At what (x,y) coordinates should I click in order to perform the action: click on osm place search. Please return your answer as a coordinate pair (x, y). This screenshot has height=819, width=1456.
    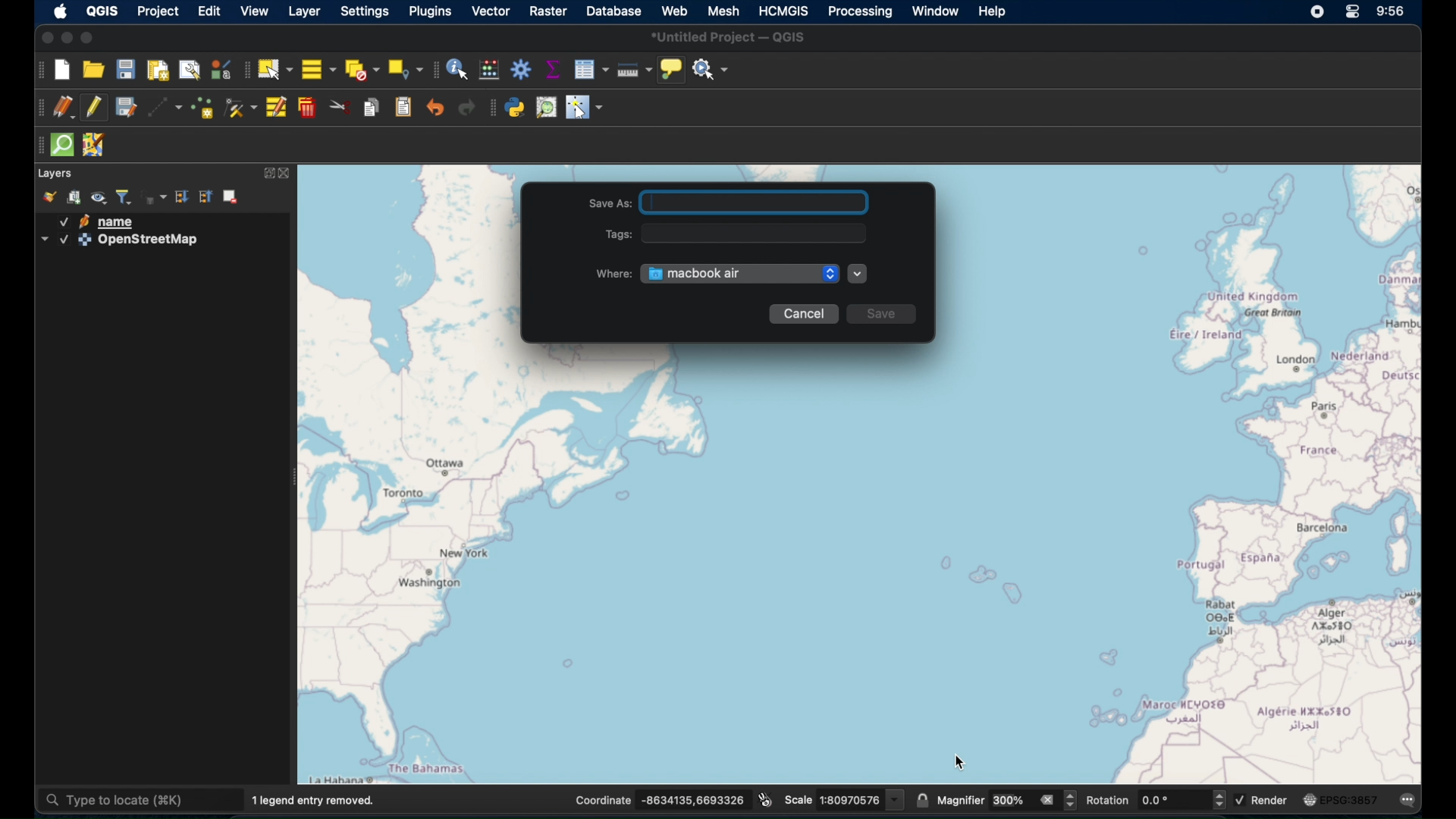
    Looking at the image, I should click on (546, 108).